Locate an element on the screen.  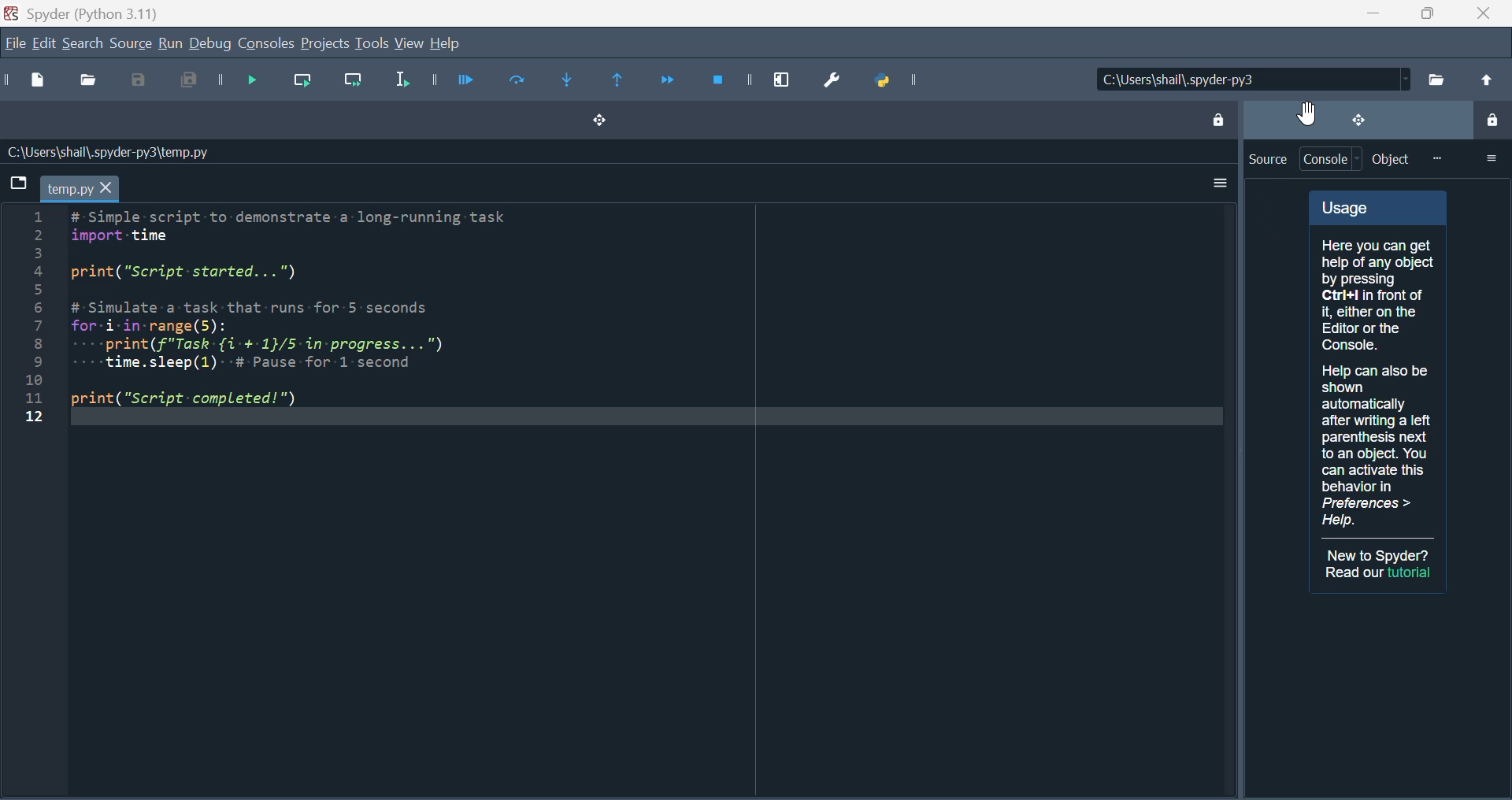
more options is located at coordinates (1491, 157).